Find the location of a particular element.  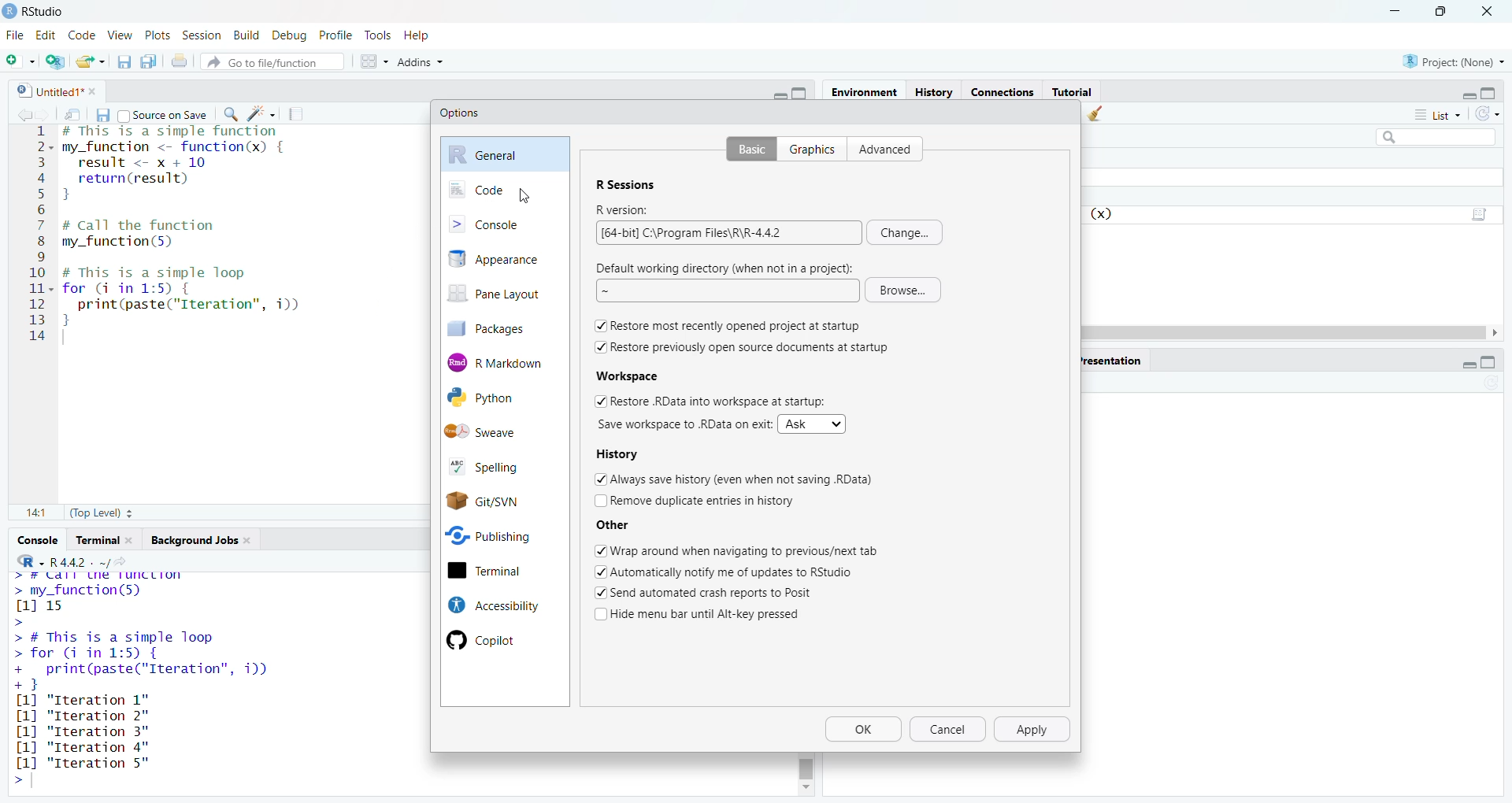

edit is located at coordinates (46, 35).